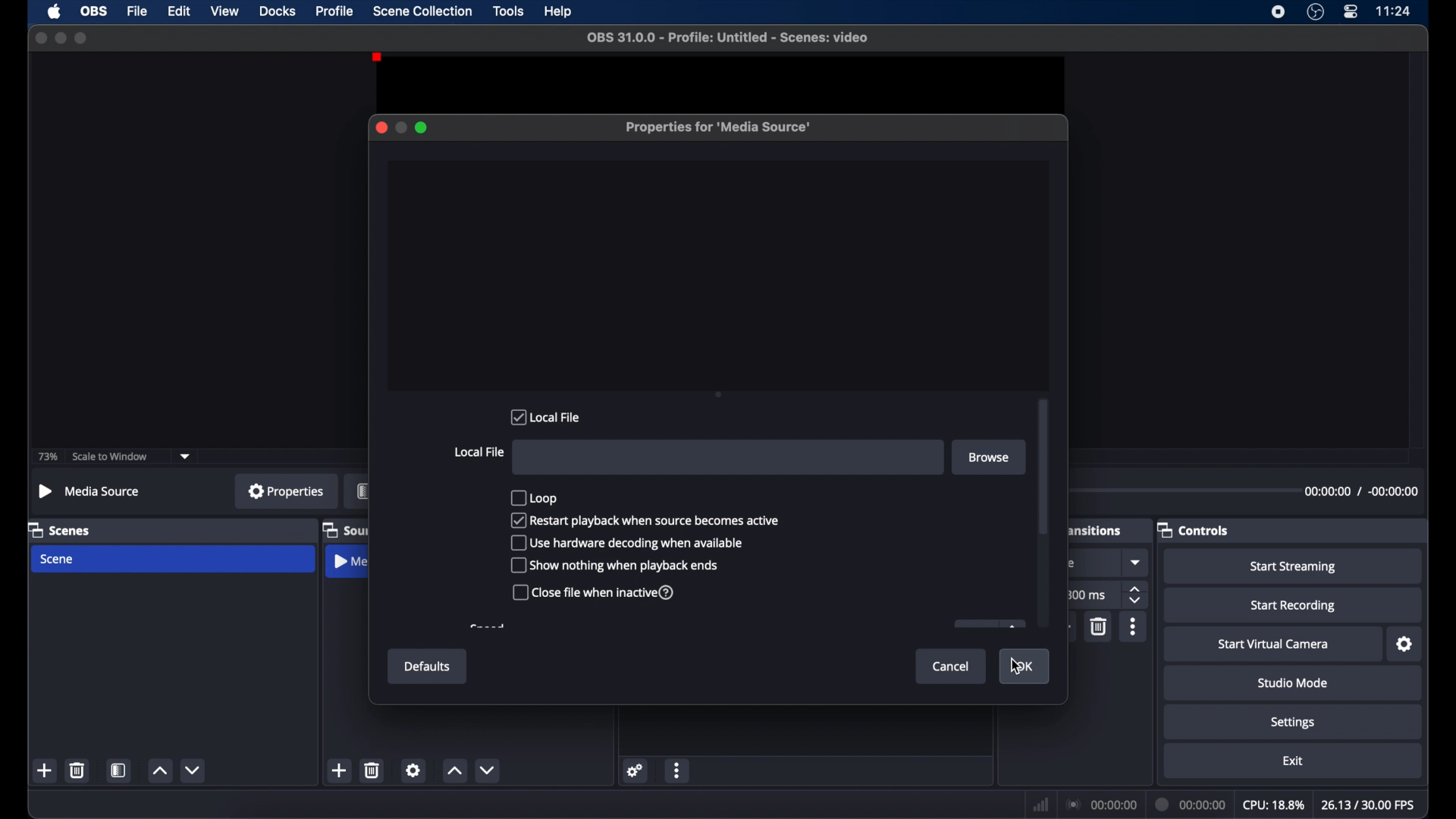 This screenshot has width=1456, height=819. What do you see at coordinates (1016, 667) in the screenshot?
I see `cursor` at bounding box center [1016, 667].